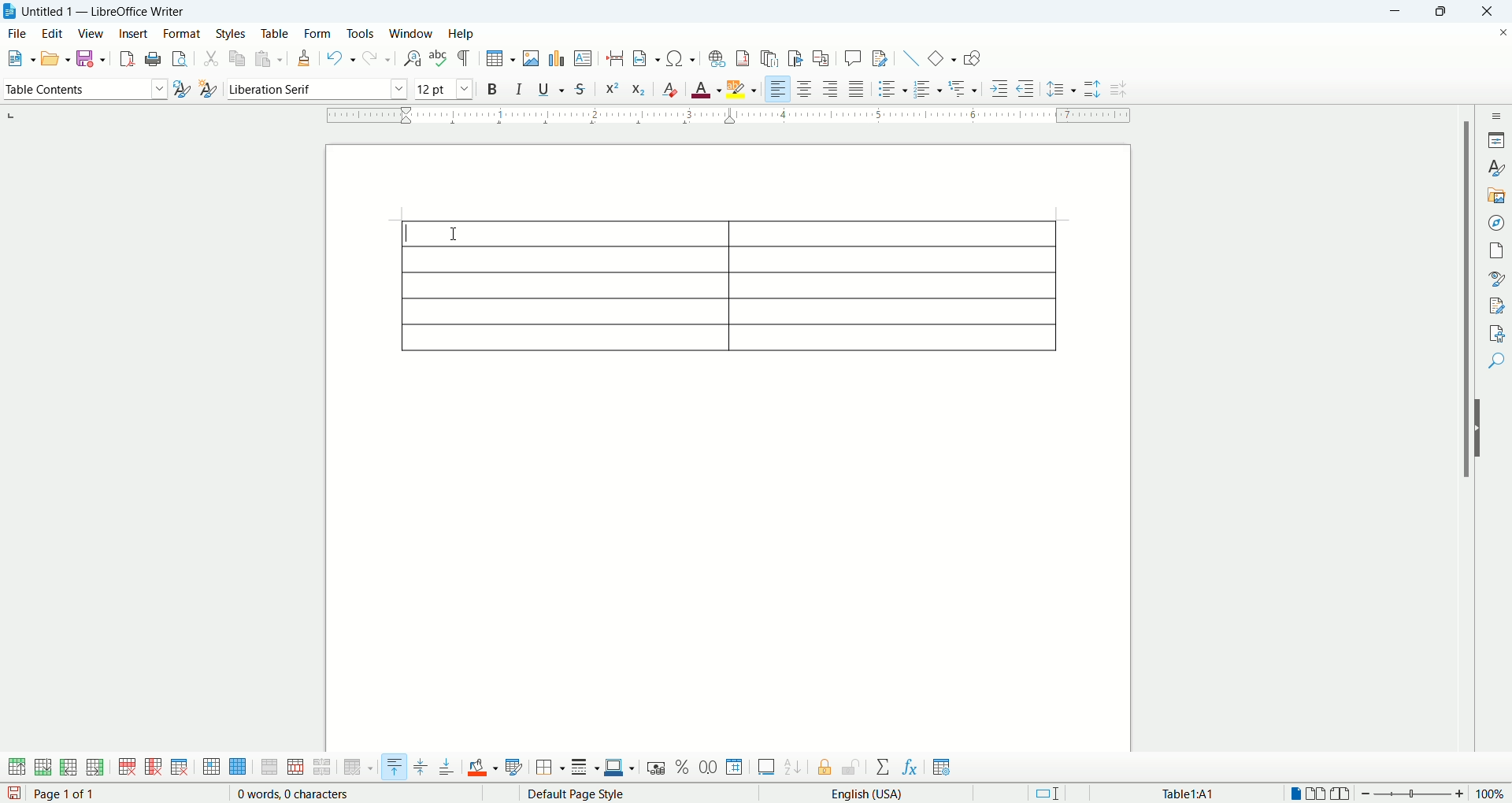  What do you see at coordinates (1497, 333) in the screenshot?
I see `accessibility check` at bounding box center [1497, 333].